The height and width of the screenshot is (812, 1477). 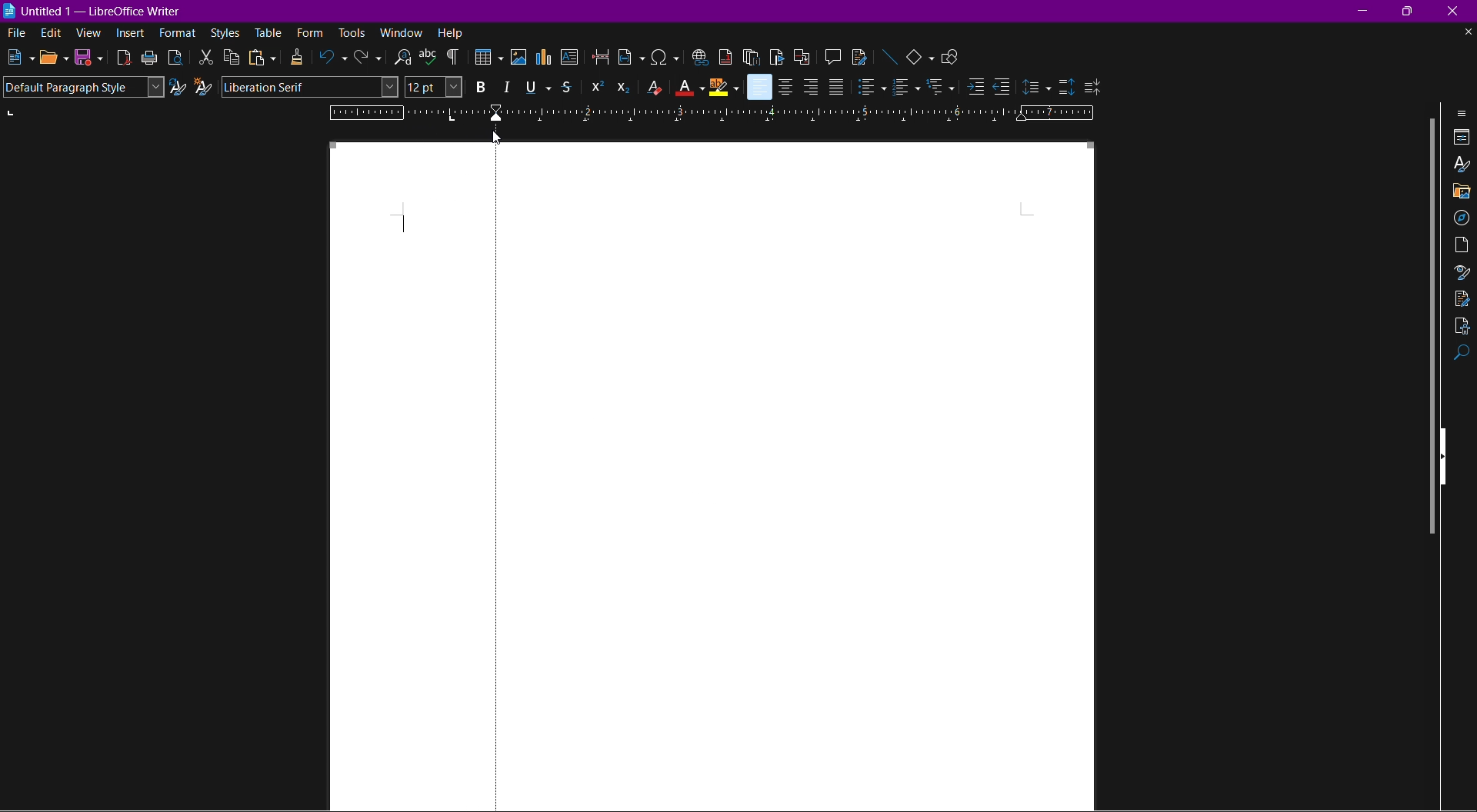 I want to click on Insert Graph, so click(x=545, y=59).